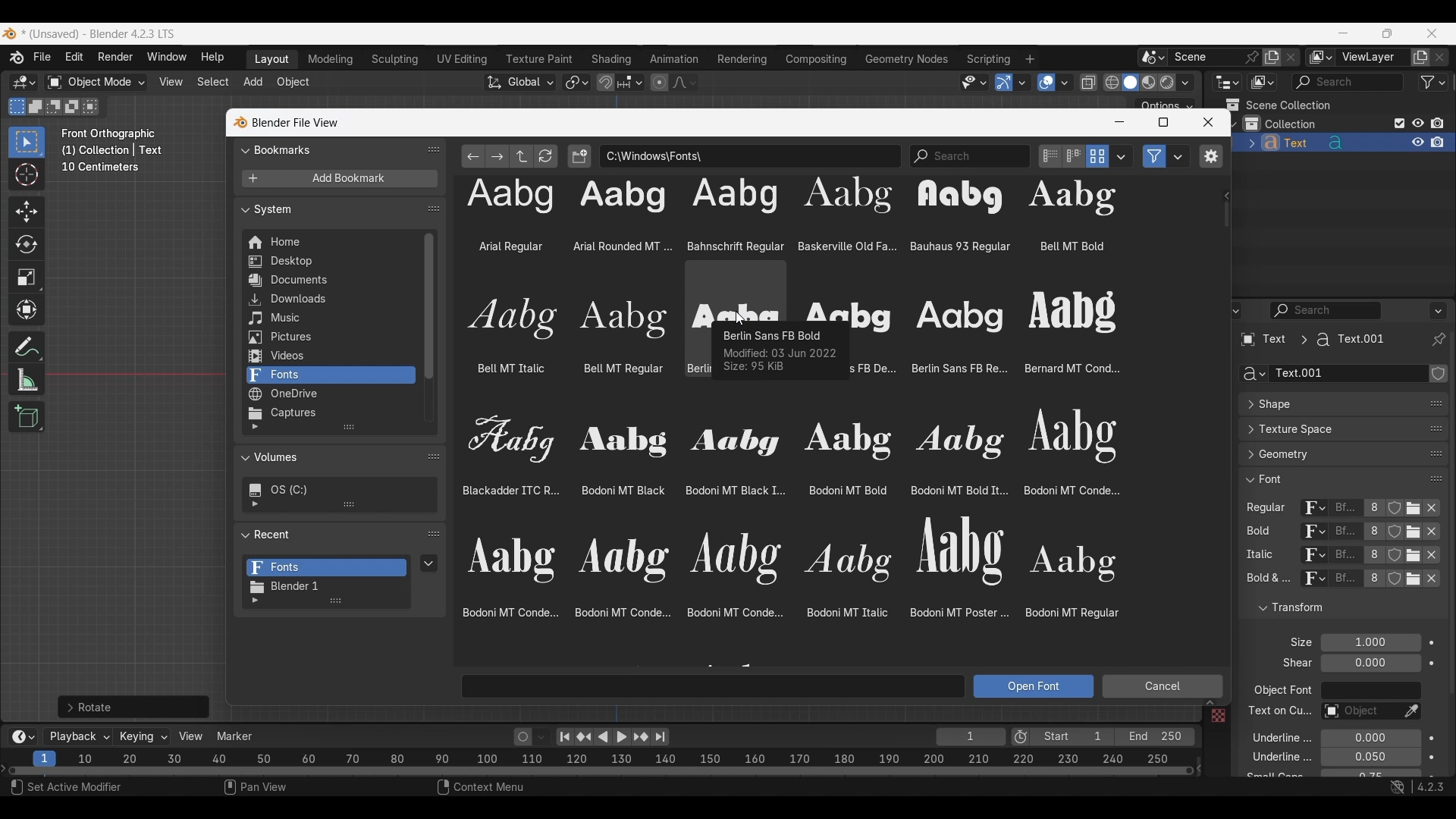 The width and height of the screenshot is (1456, 819). Describe the element at coordinates (1272, 58) in the screenshot. I see `Add new scene` at that location.